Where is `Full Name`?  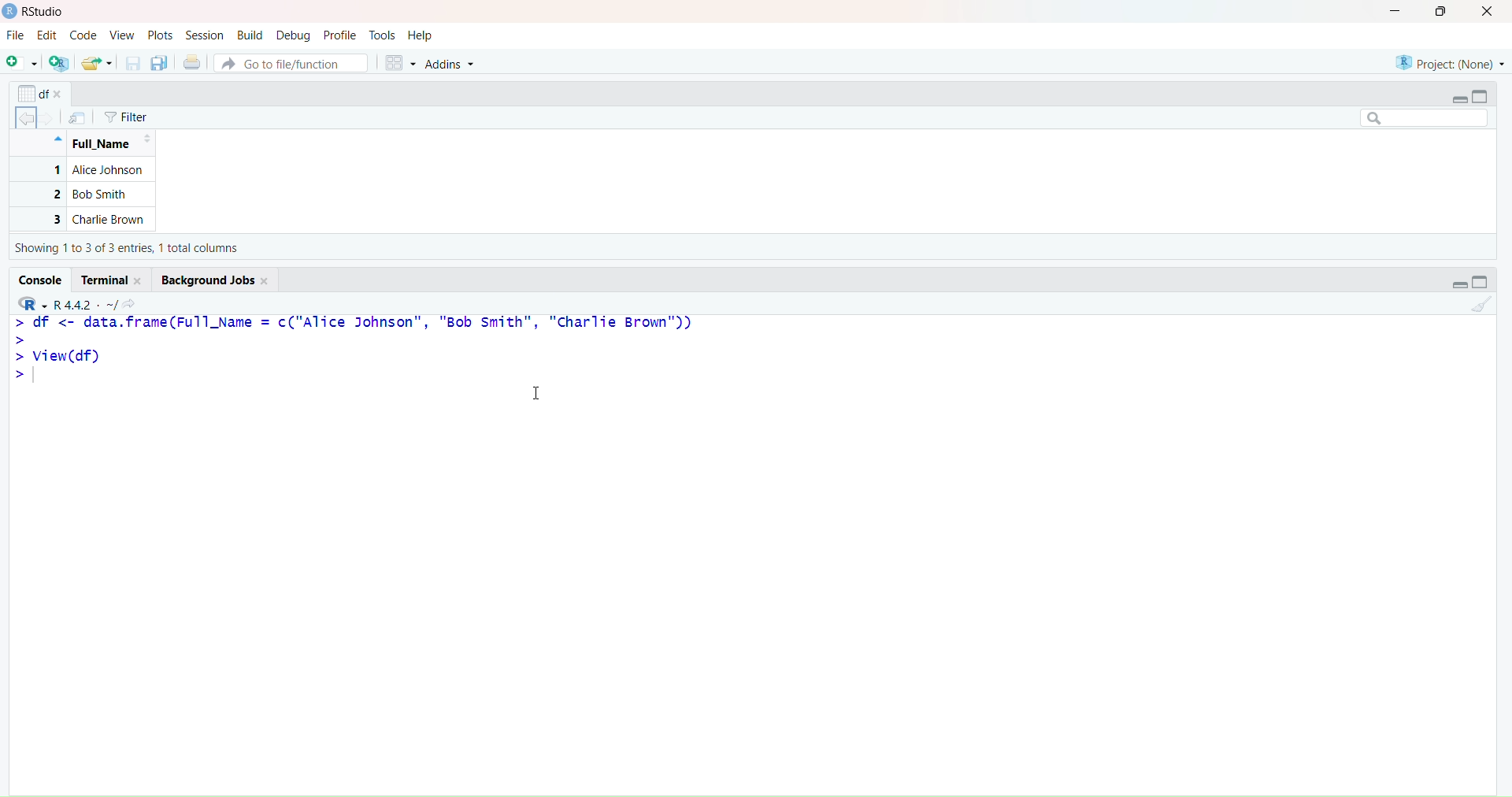
Full Name is located at coordinates (109, 145).